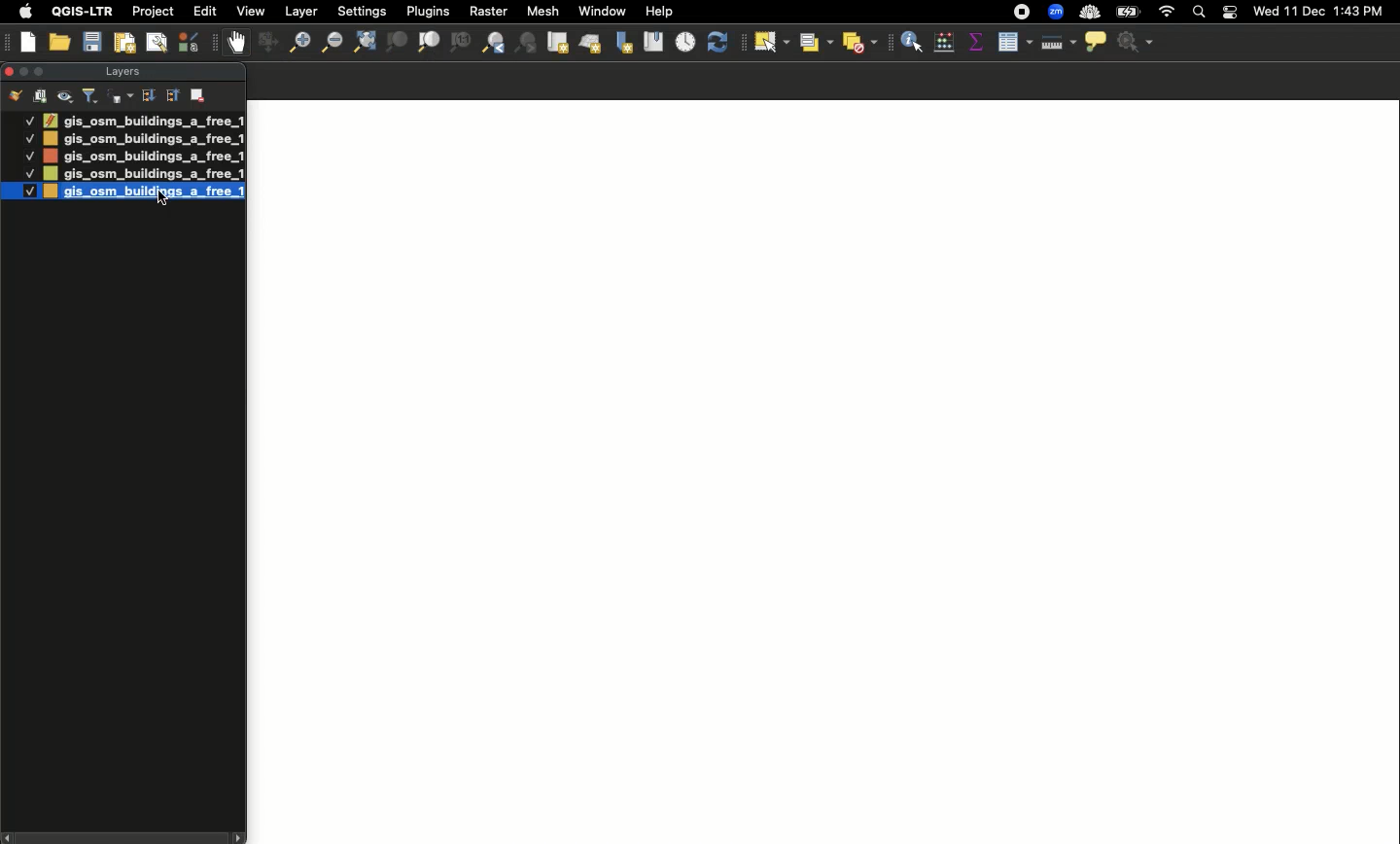 The height and width of the screenshot is (844, 1400). I want to click on Settings, so click(1137, 43).